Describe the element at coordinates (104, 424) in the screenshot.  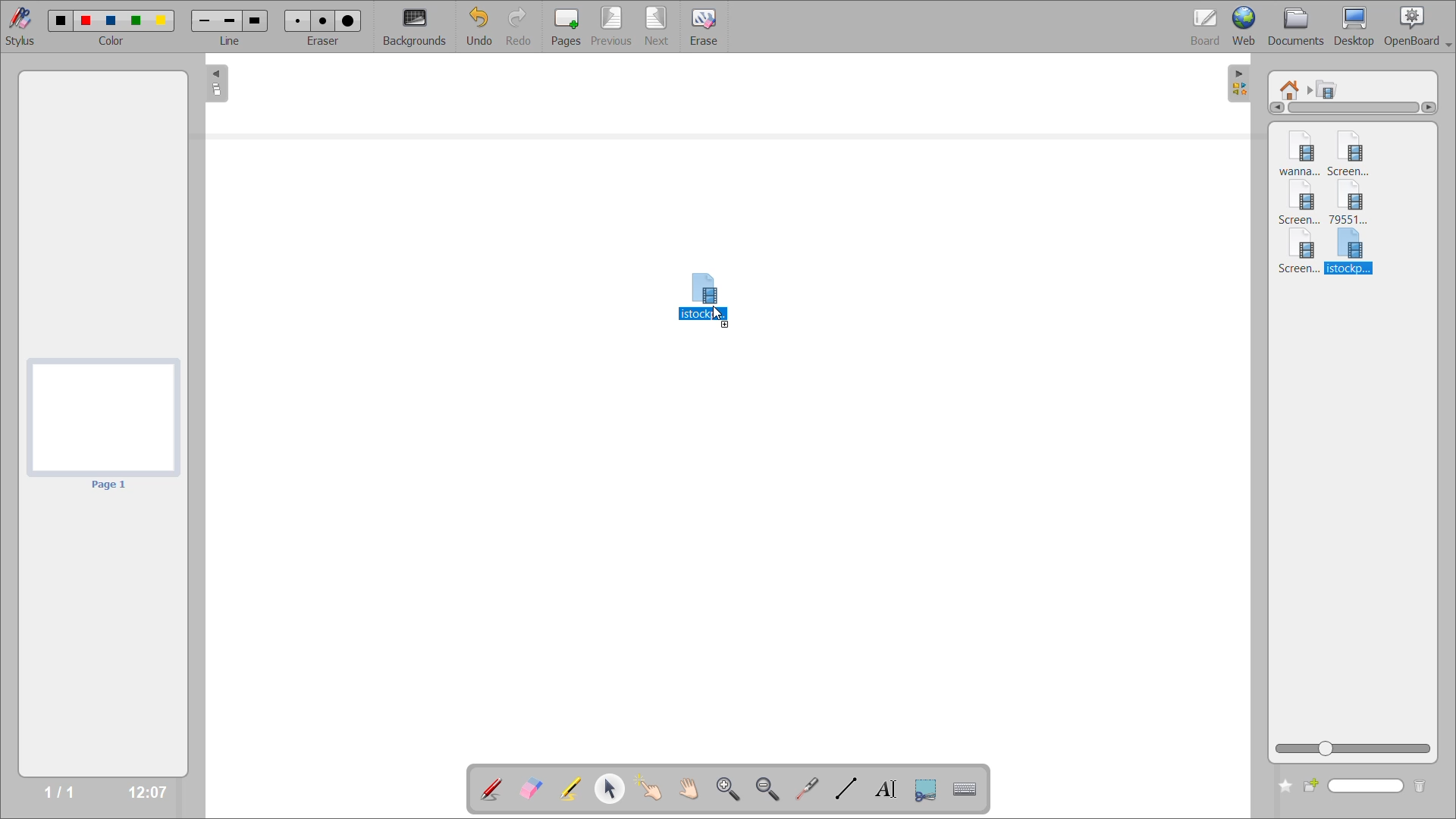
I see `page preview` at that location.